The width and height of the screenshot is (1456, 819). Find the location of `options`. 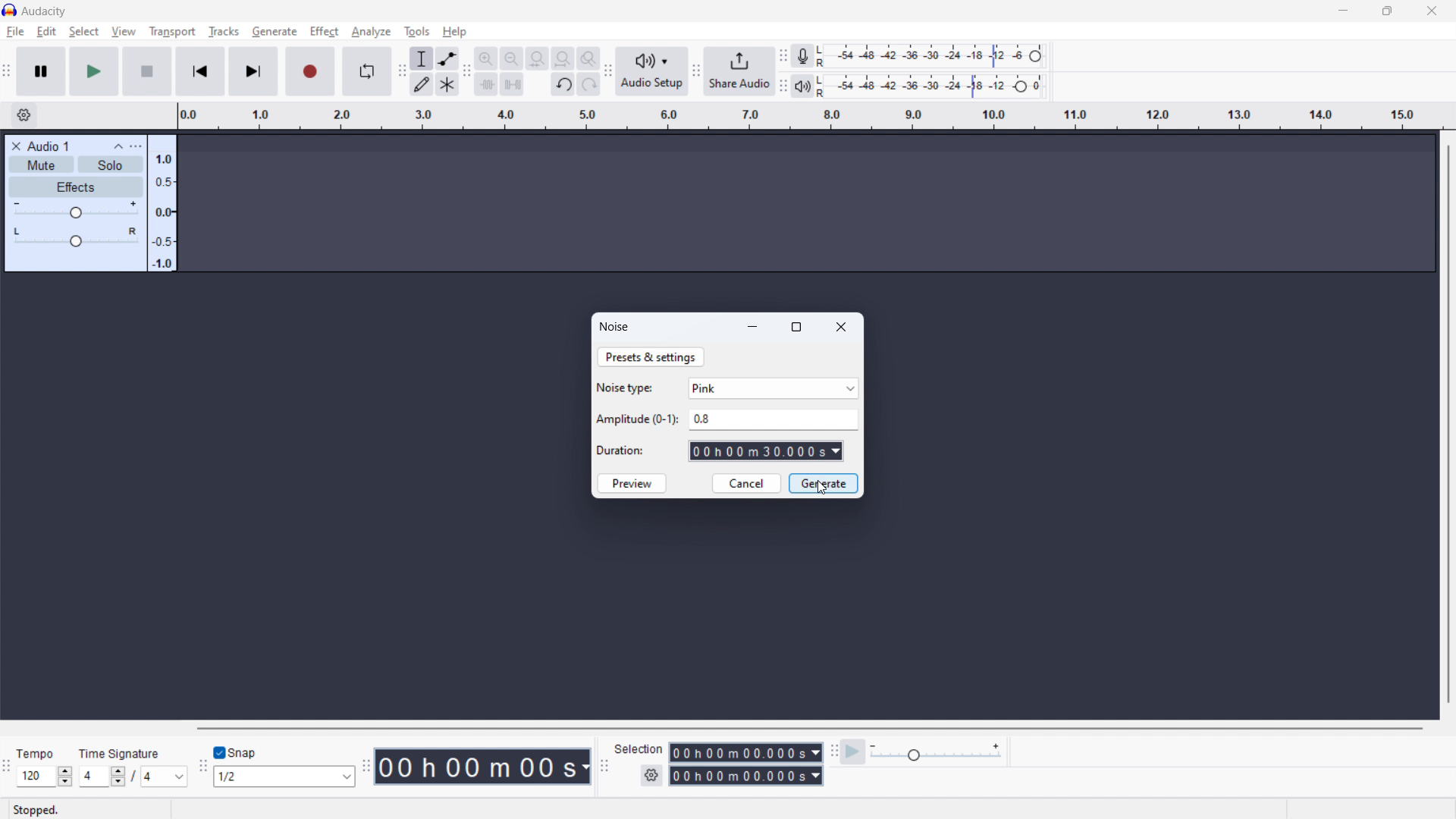

options is located at coordinates (135, 146).